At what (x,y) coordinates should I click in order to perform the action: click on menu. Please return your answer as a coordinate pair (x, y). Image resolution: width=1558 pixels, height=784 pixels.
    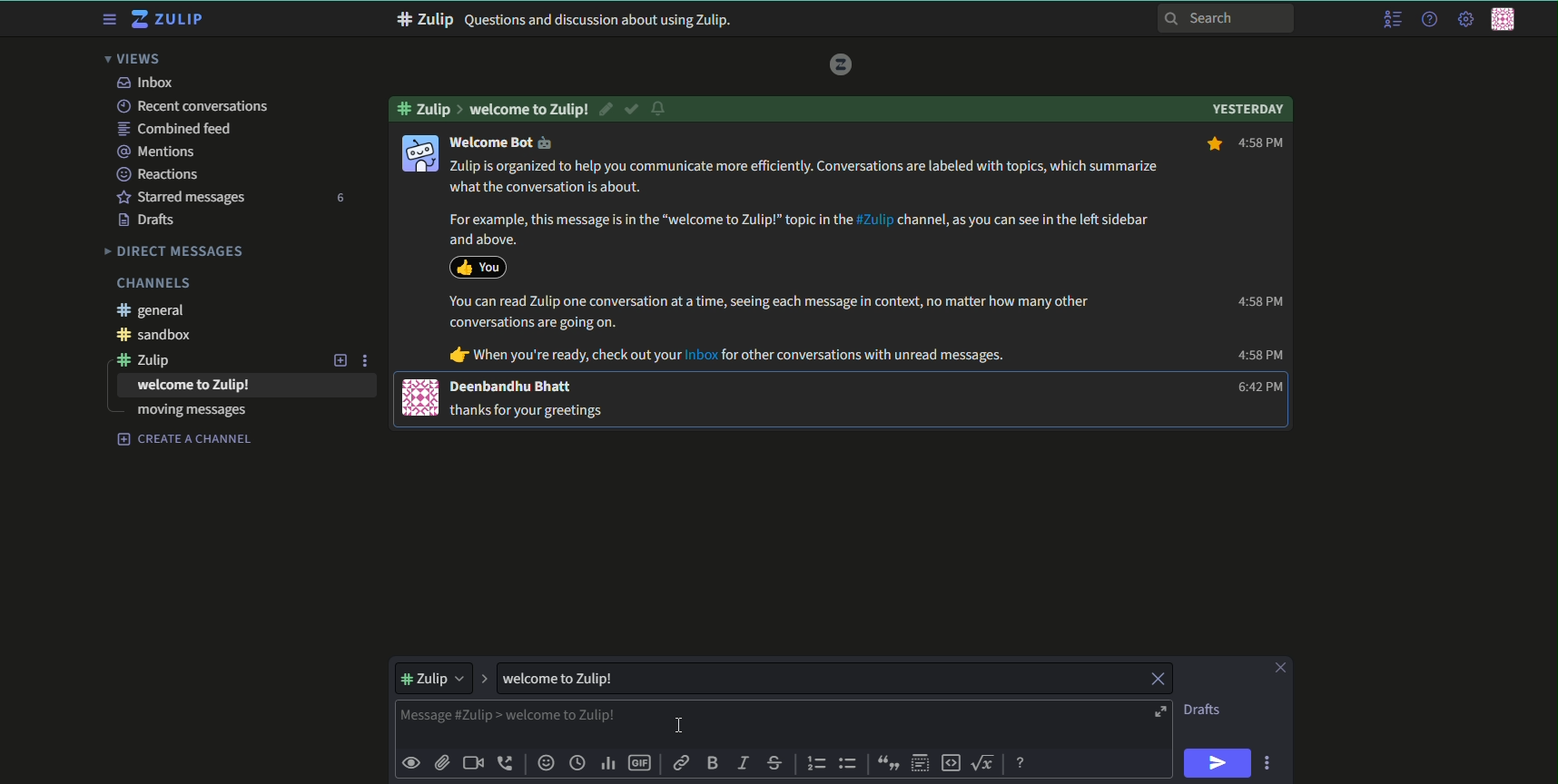
    Looking at the image, I should click on (107, 20).